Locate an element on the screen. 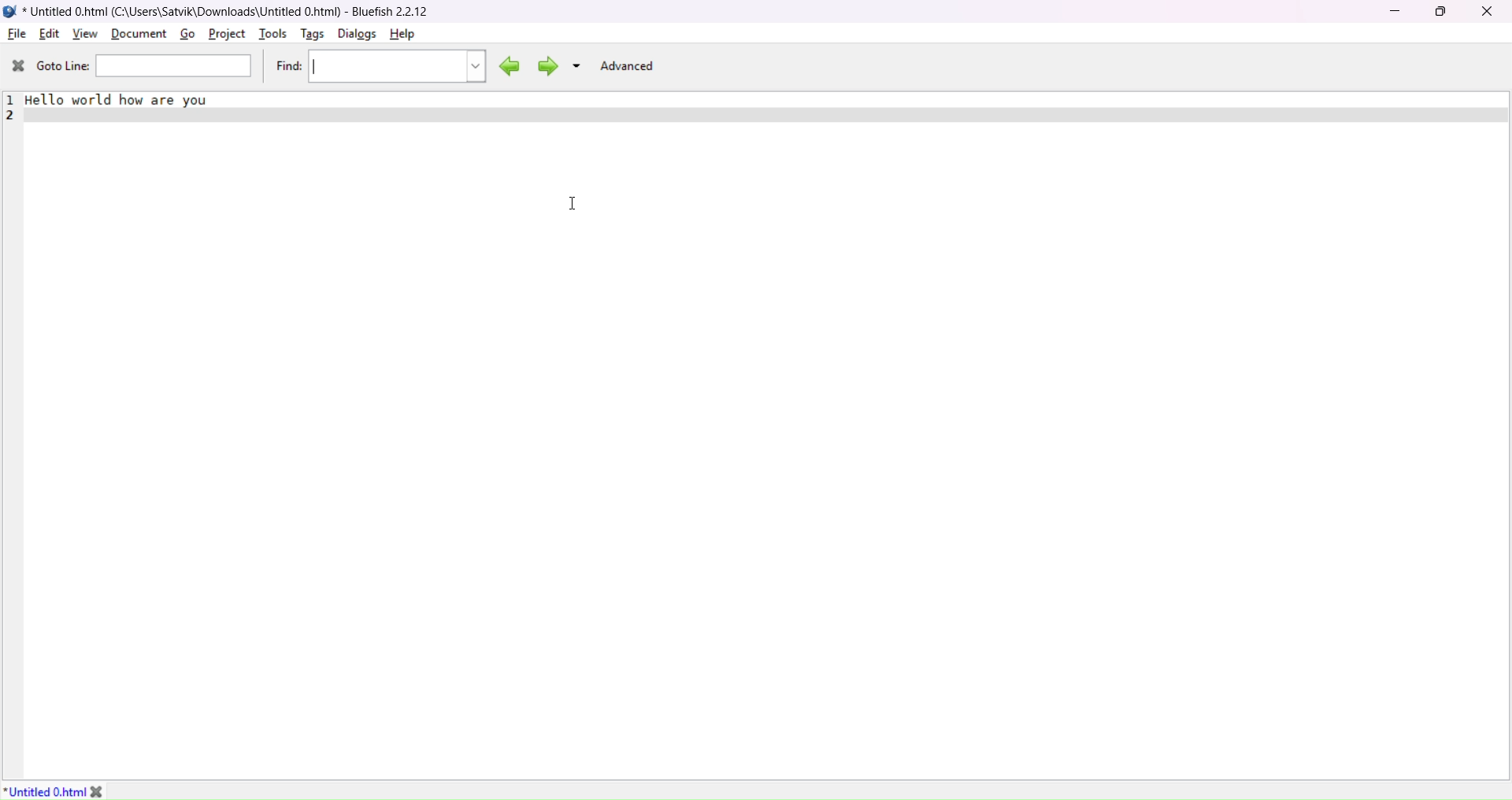 The image size is (1512, 800). dialog is located at coordinates (358, 34).